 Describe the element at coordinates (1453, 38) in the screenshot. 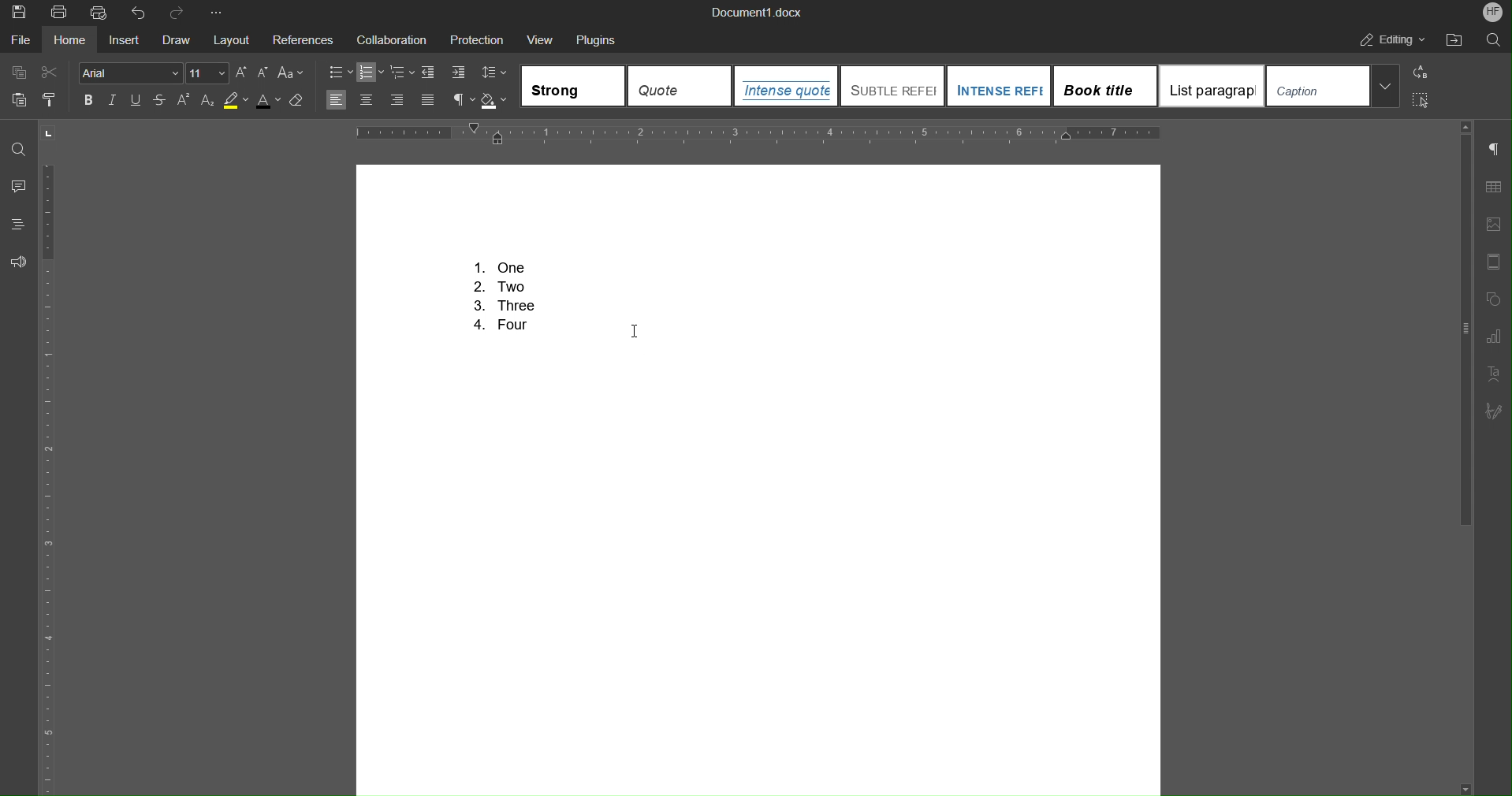

I see `Open File Location` at that location.